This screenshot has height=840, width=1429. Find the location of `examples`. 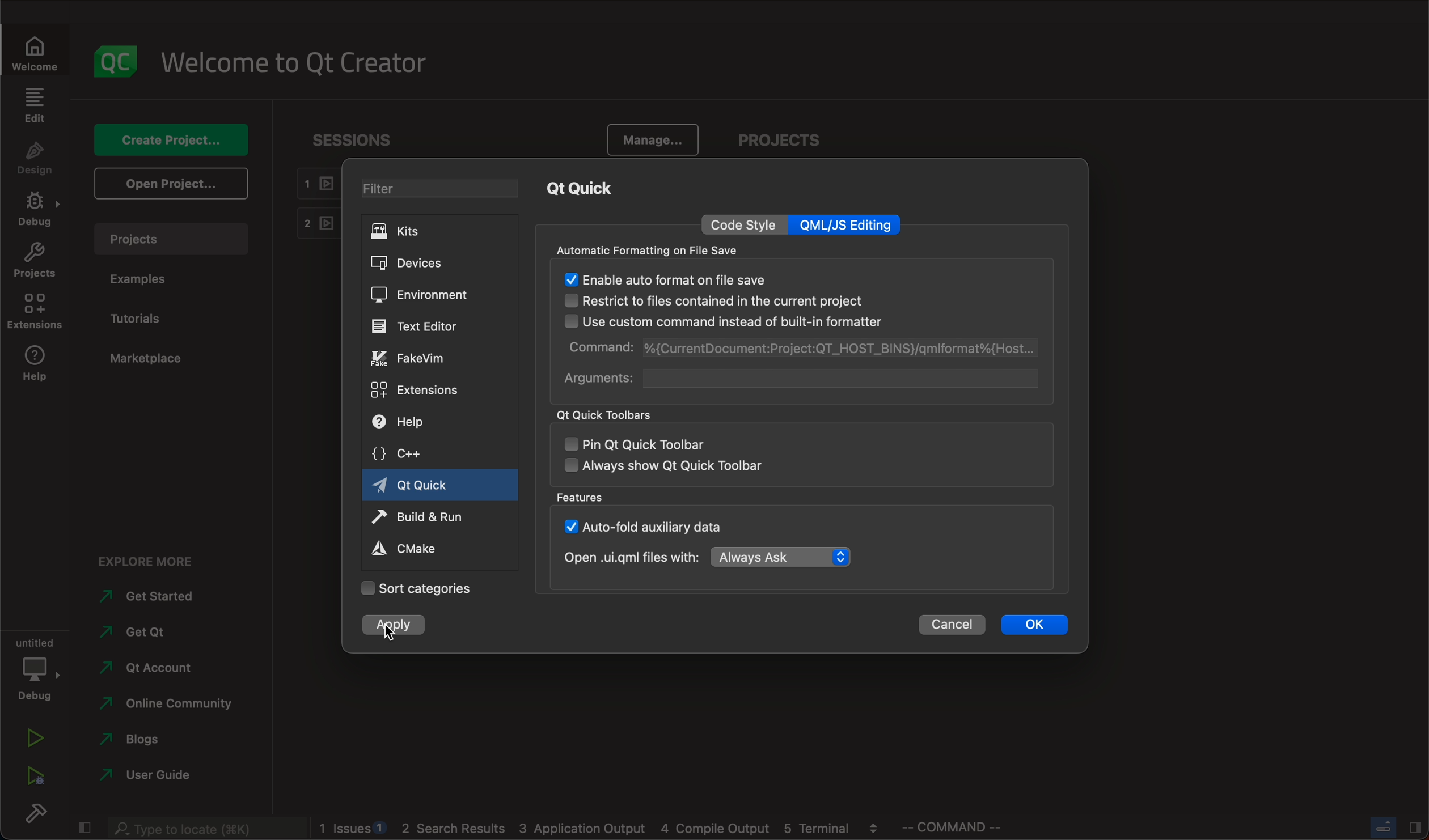

examples is located at coordinates (146, 280).